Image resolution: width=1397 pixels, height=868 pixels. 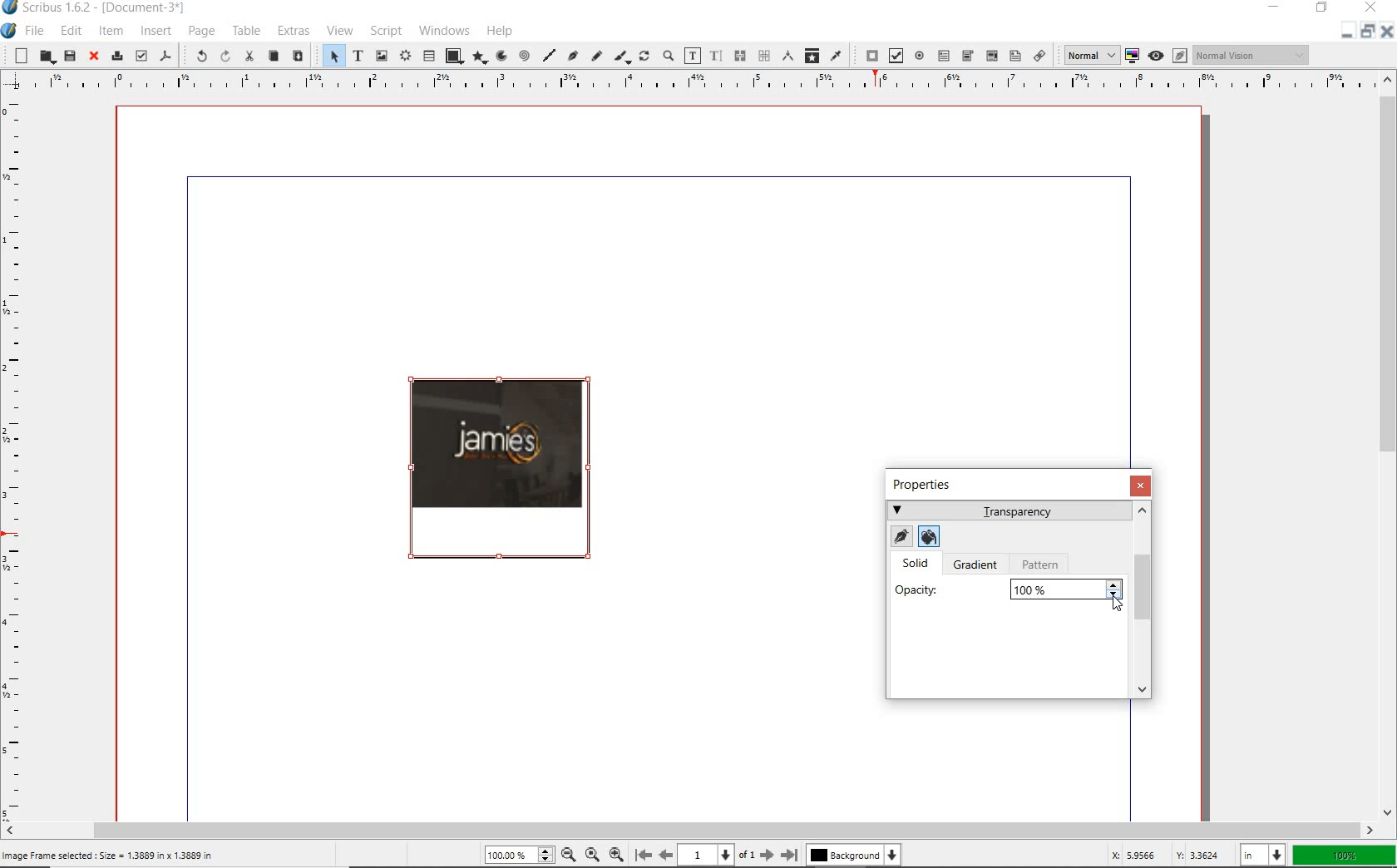 I want to click on ITEM, so click(x=111, y=30).